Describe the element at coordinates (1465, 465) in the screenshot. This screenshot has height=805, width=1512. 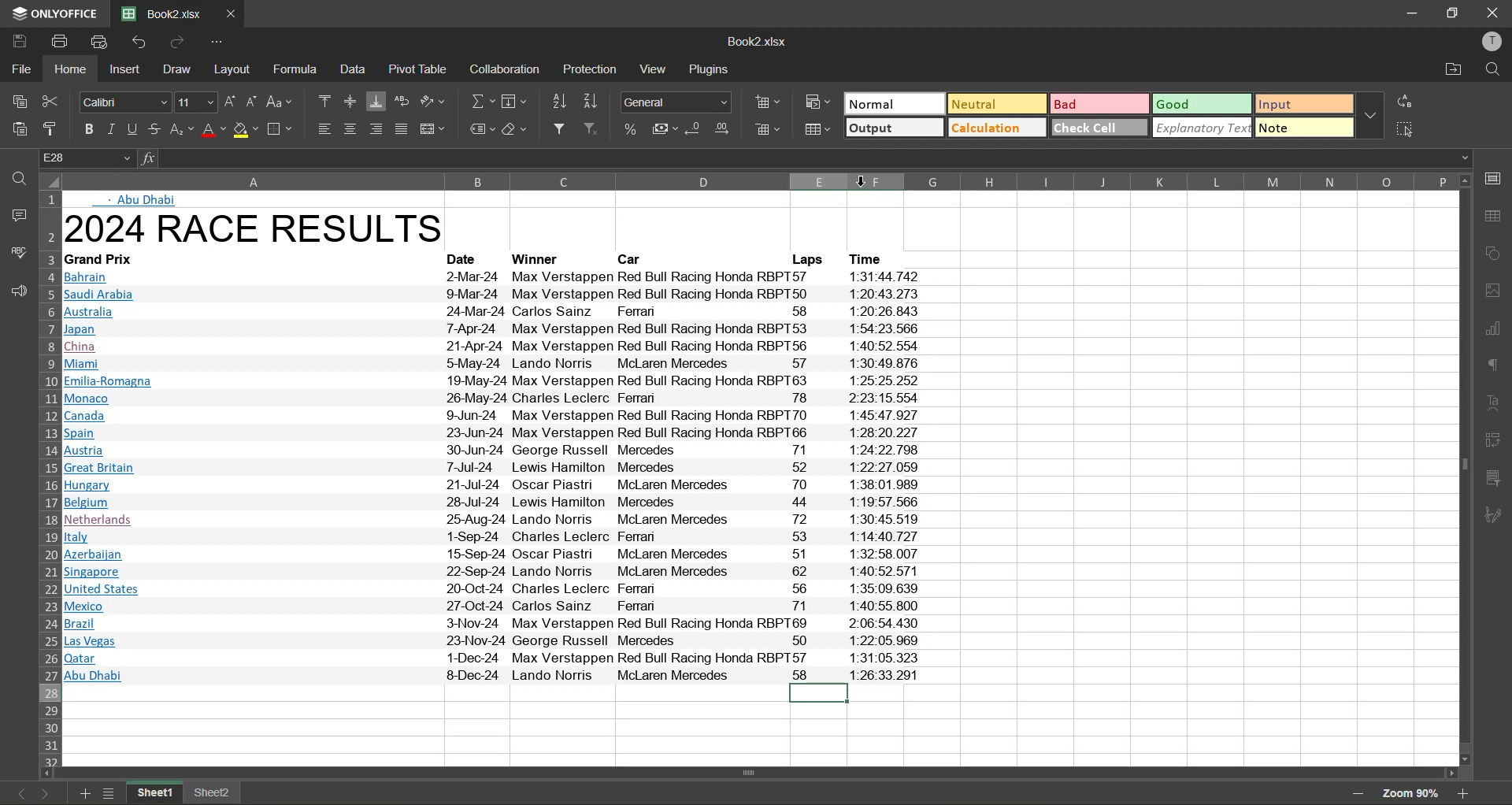
I see `vertical scrollbar` at that location.